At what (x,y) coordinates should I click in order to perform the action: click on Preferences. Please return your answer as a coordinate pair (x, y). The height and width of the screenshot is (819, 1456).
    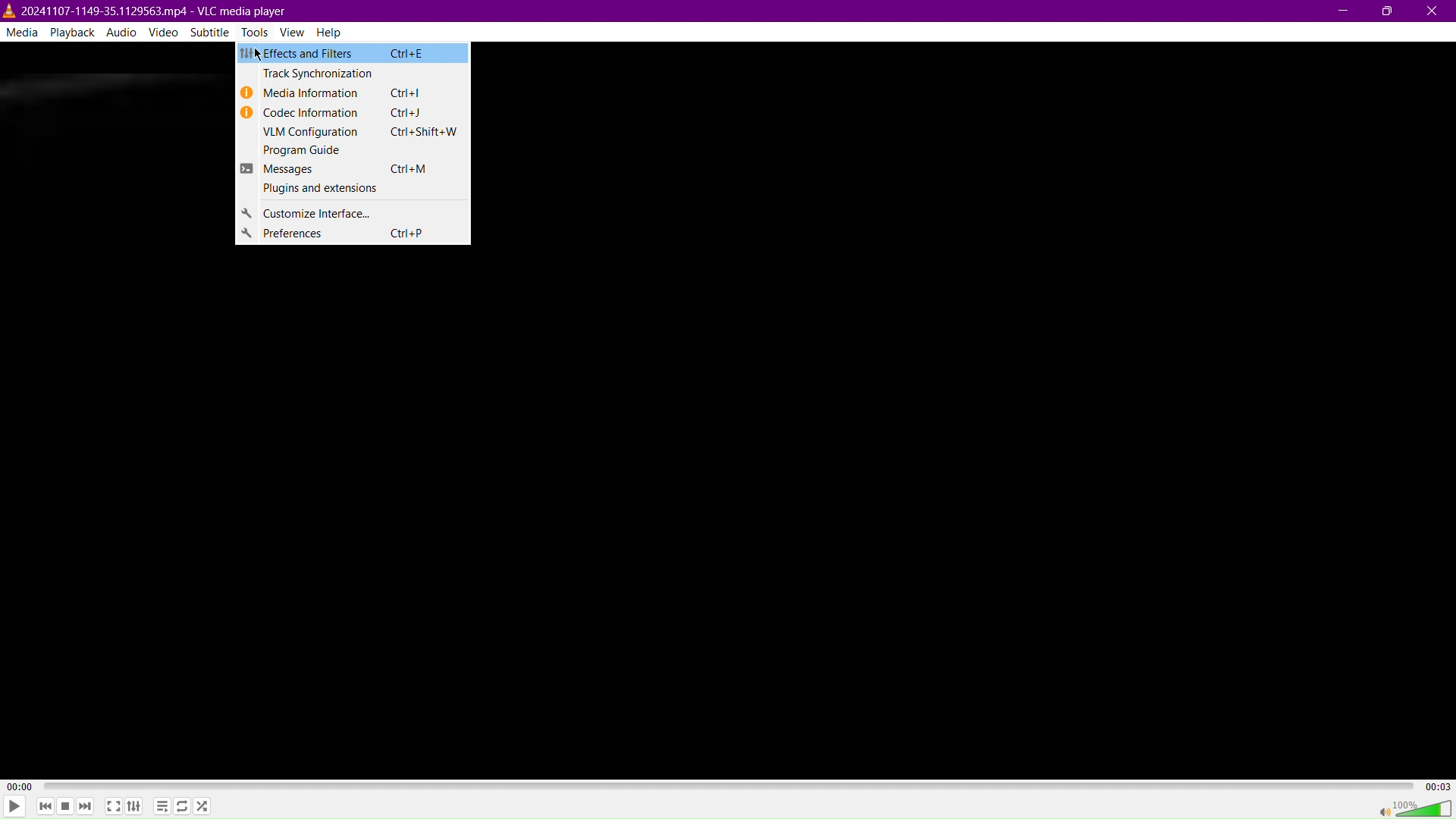
    Looking at the image, I should click on (356, 235).